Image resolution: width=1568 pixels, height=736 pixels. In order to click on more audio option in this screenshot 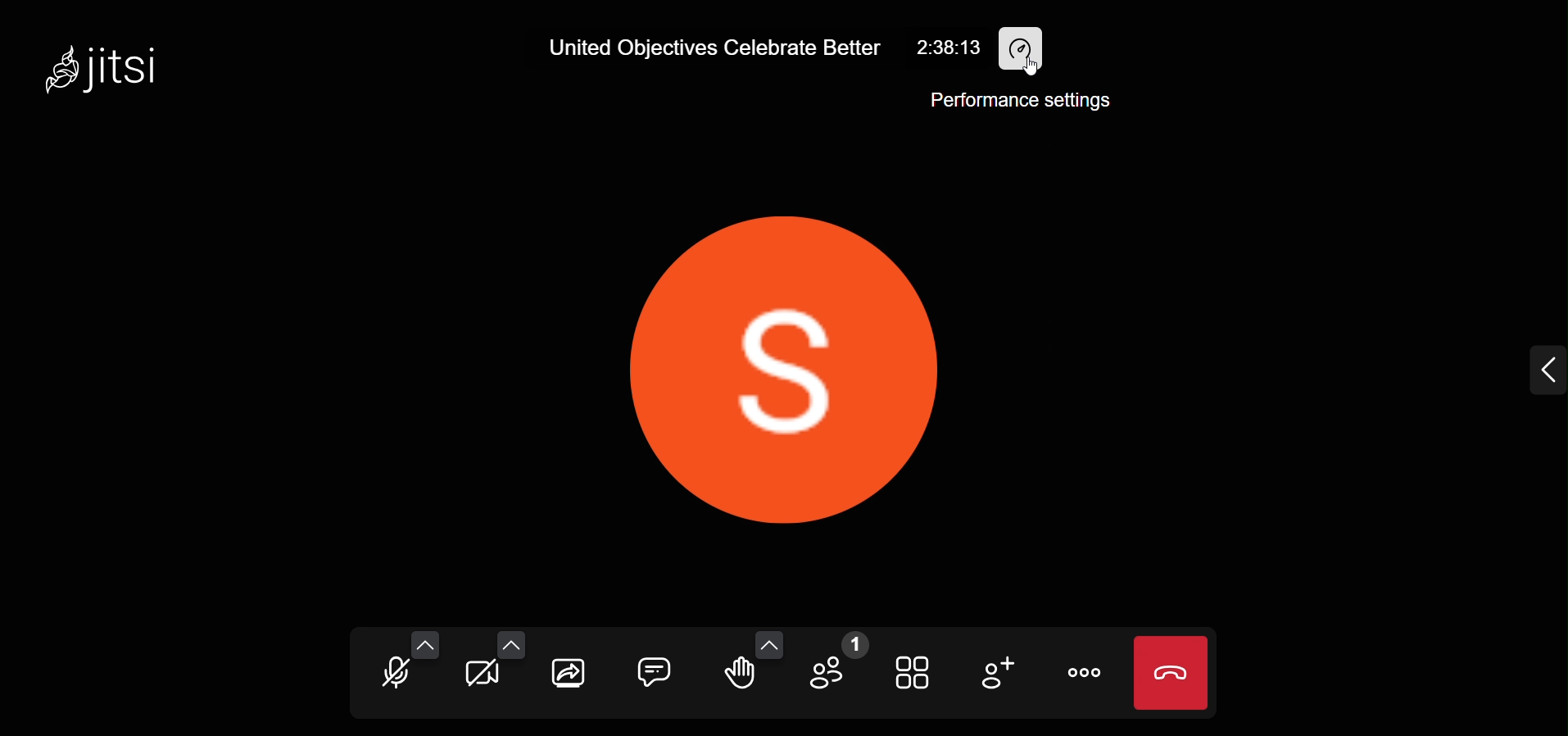, I will do `click(424, 644)`.